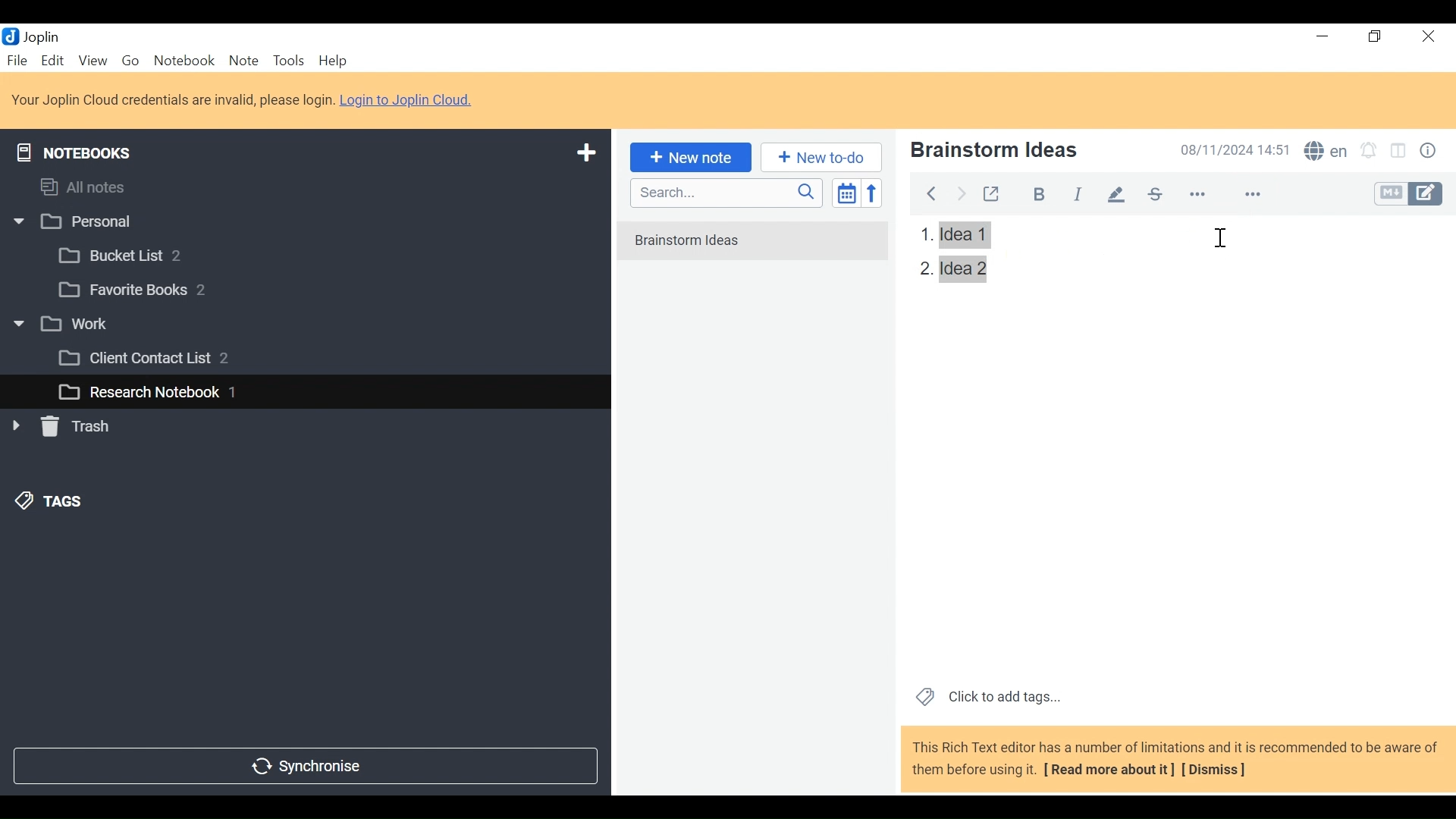 This screenshot has width=1456, height=819. I want to click on Back, so click(930, 191).